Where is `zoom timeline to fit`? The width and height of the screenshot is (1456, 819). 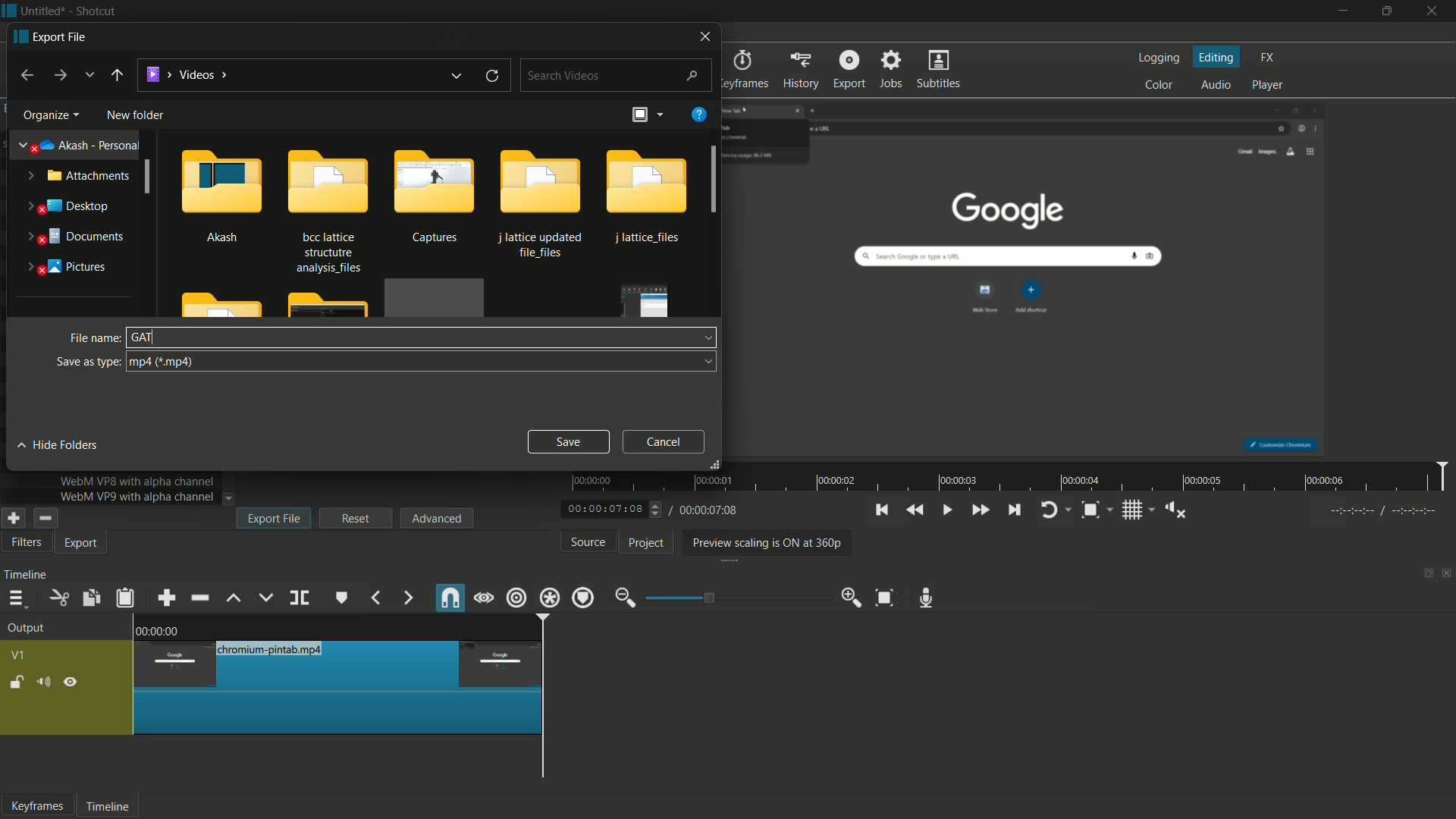 zoom timeline to fit is located at coordinates (888, 597).